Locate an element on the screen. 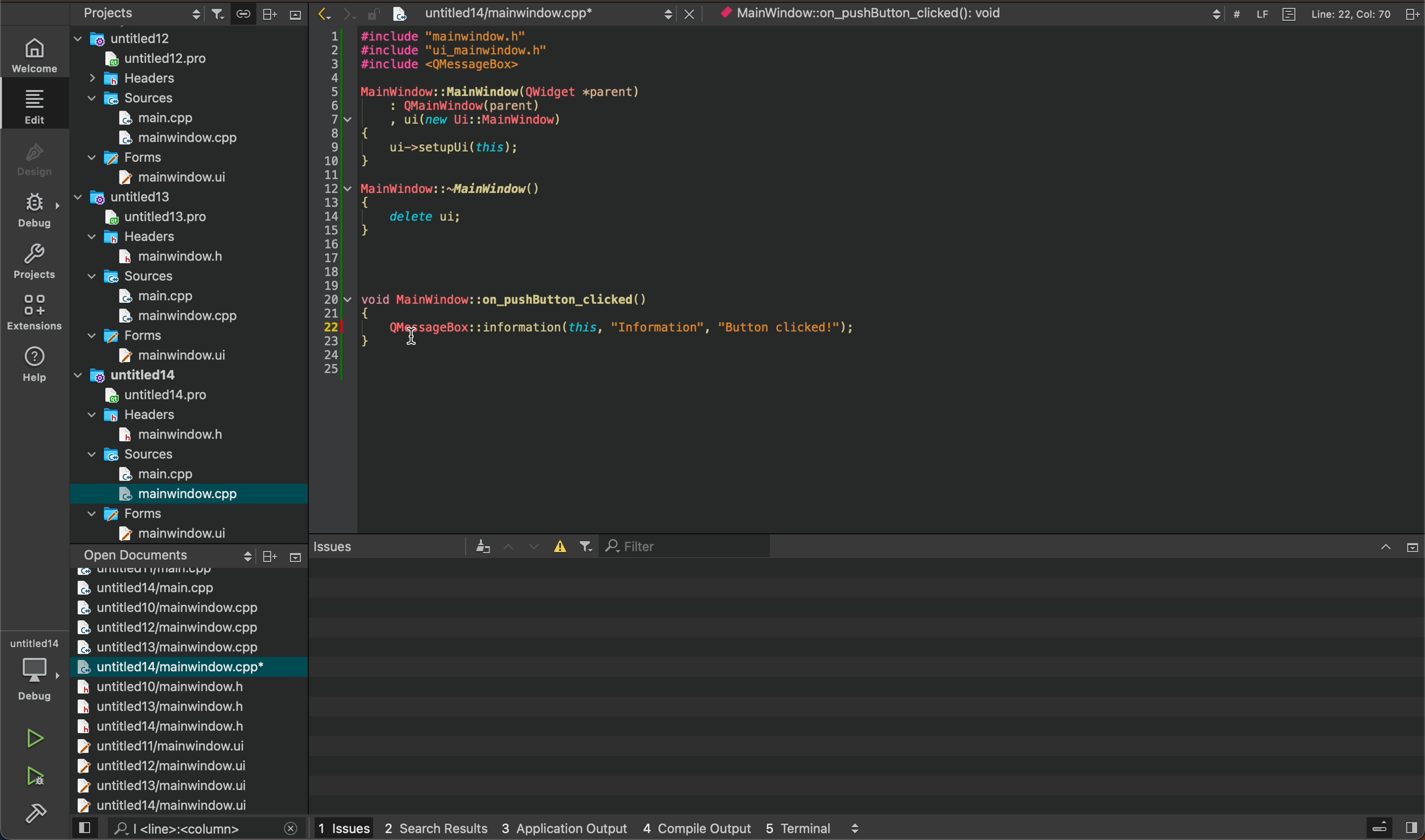 This screenshot has width=1425, height=840. untitled14 pro is located at coordinates (144, 393).